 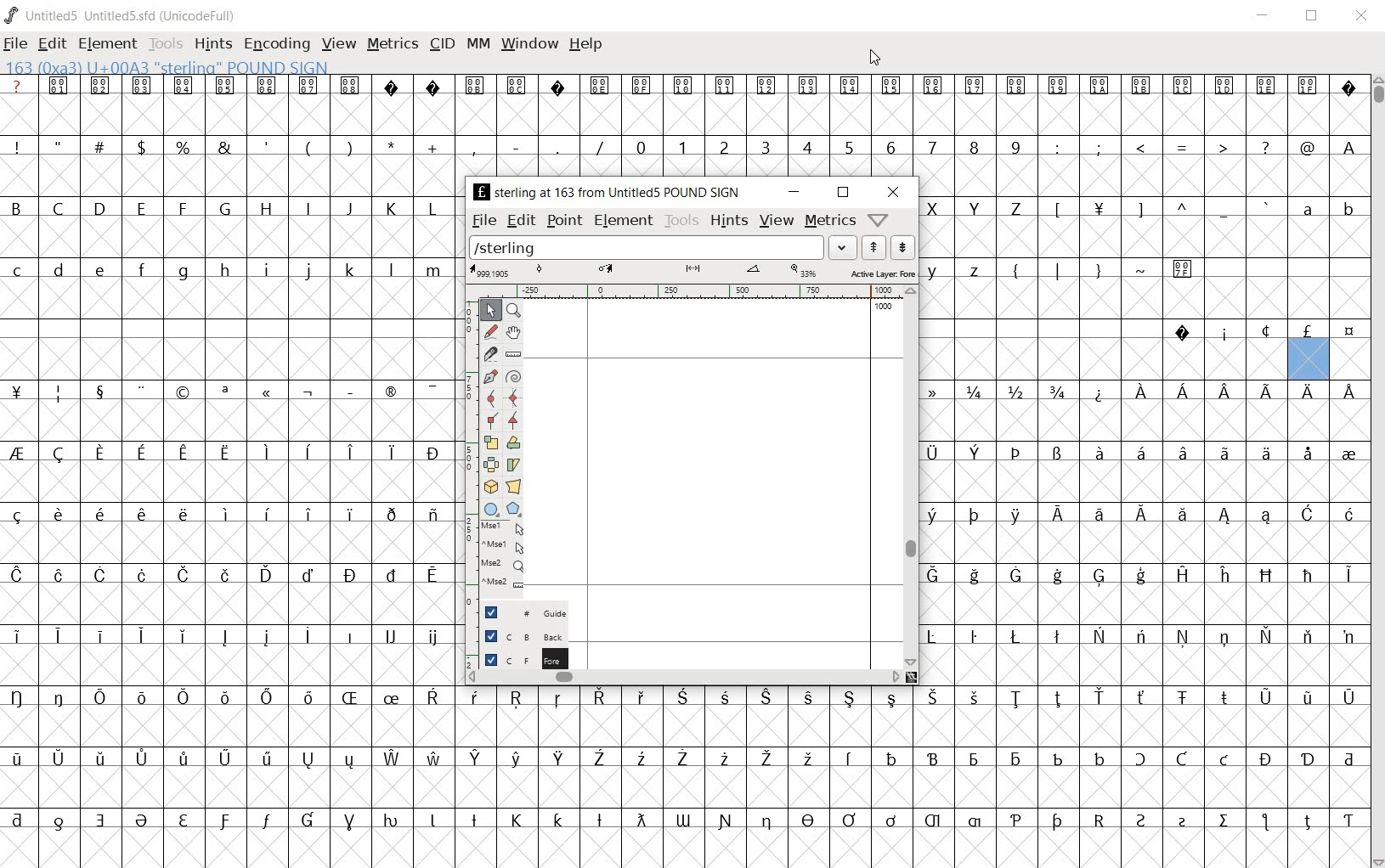 What do you see at coordinates (1267, 635) in the screenshot?
I see `Symbol` at bounding box center [1267, 635].